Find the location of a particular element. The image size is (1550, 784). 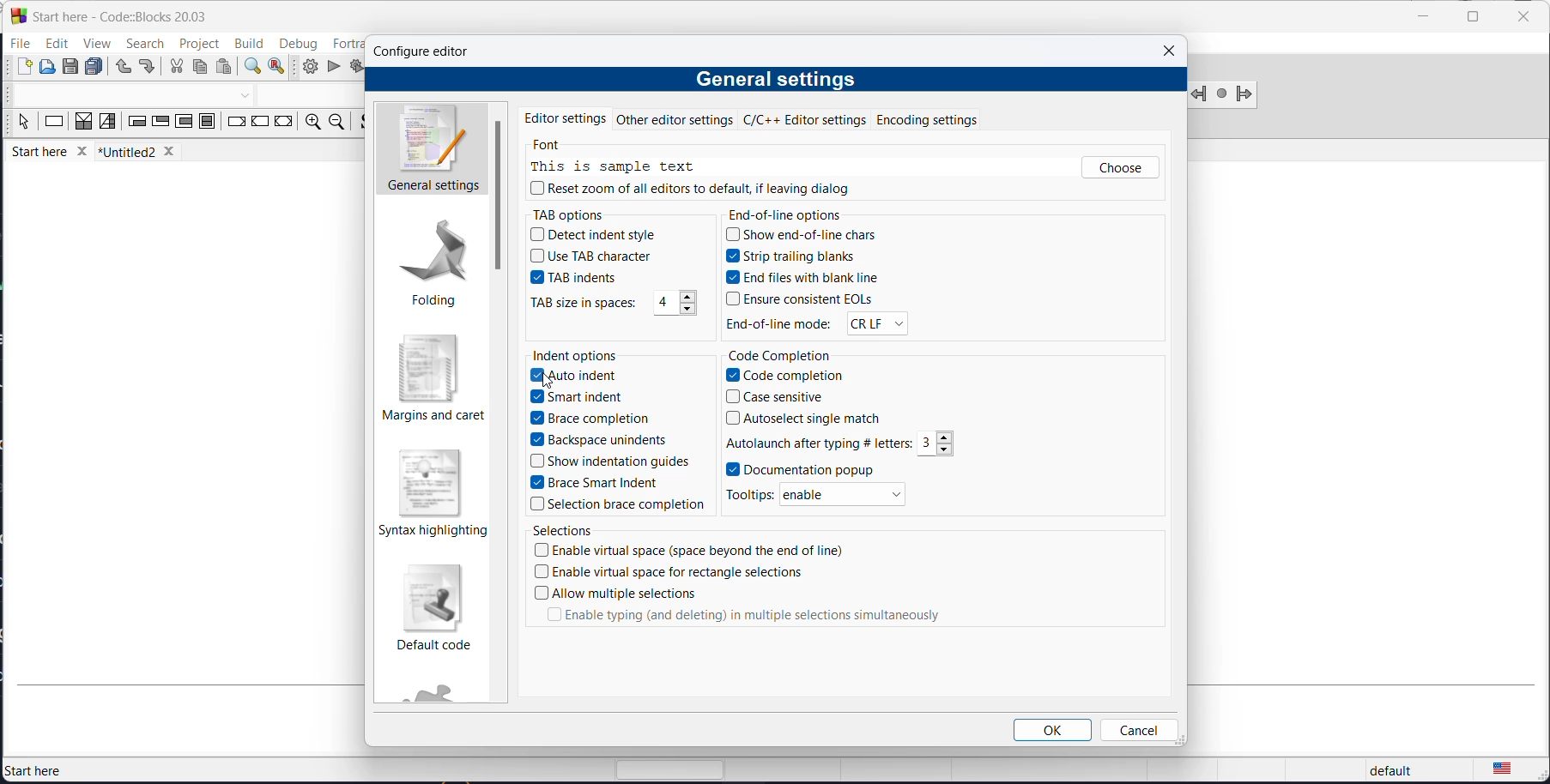

end files with blank line is located at coordinates (807, 278).